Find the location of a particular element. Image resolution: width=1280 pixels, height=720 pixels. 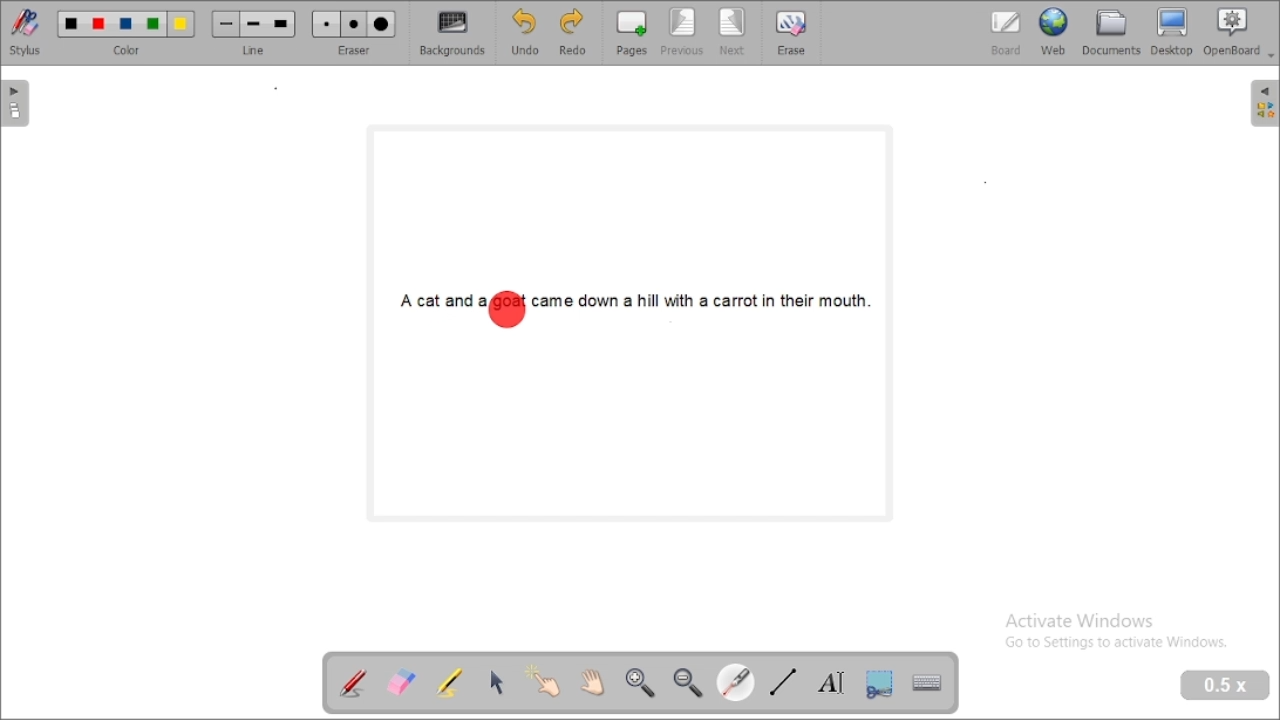

openboard is located at coordinates (1232, 32).